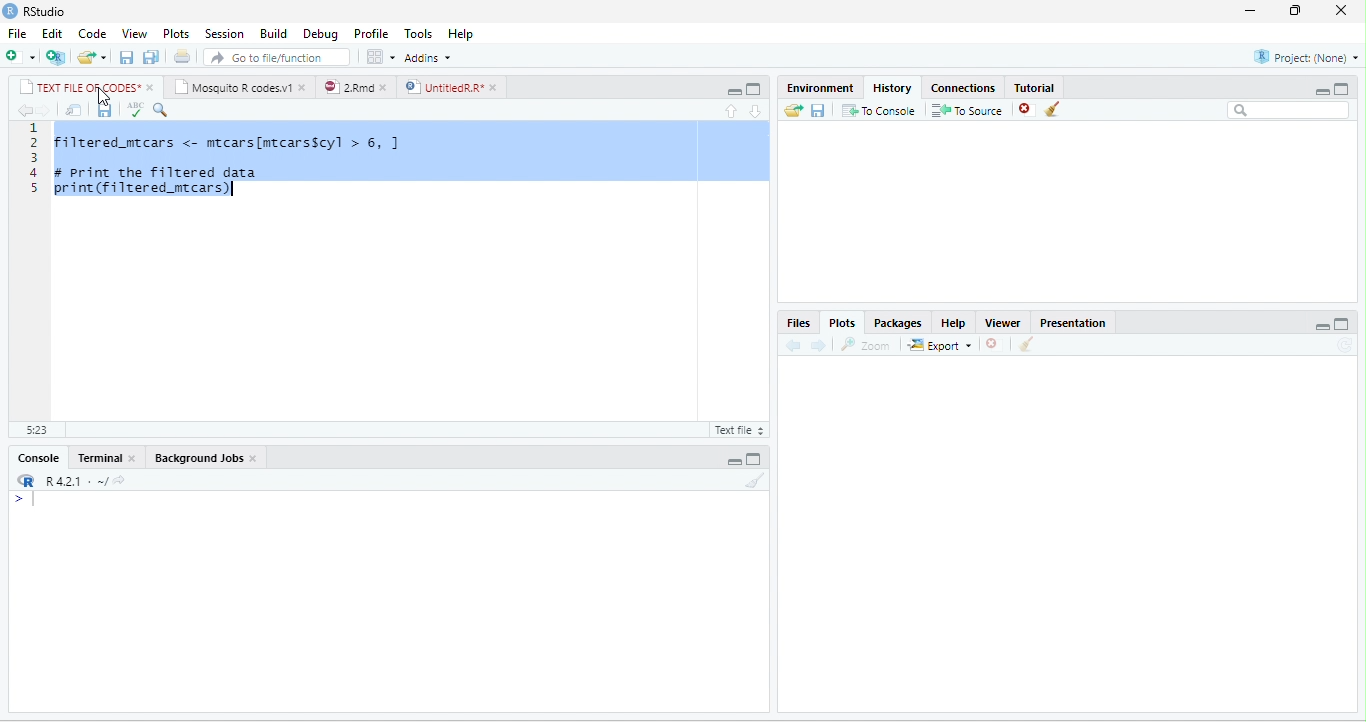  I want to click on minimize, so click(1321, 91).